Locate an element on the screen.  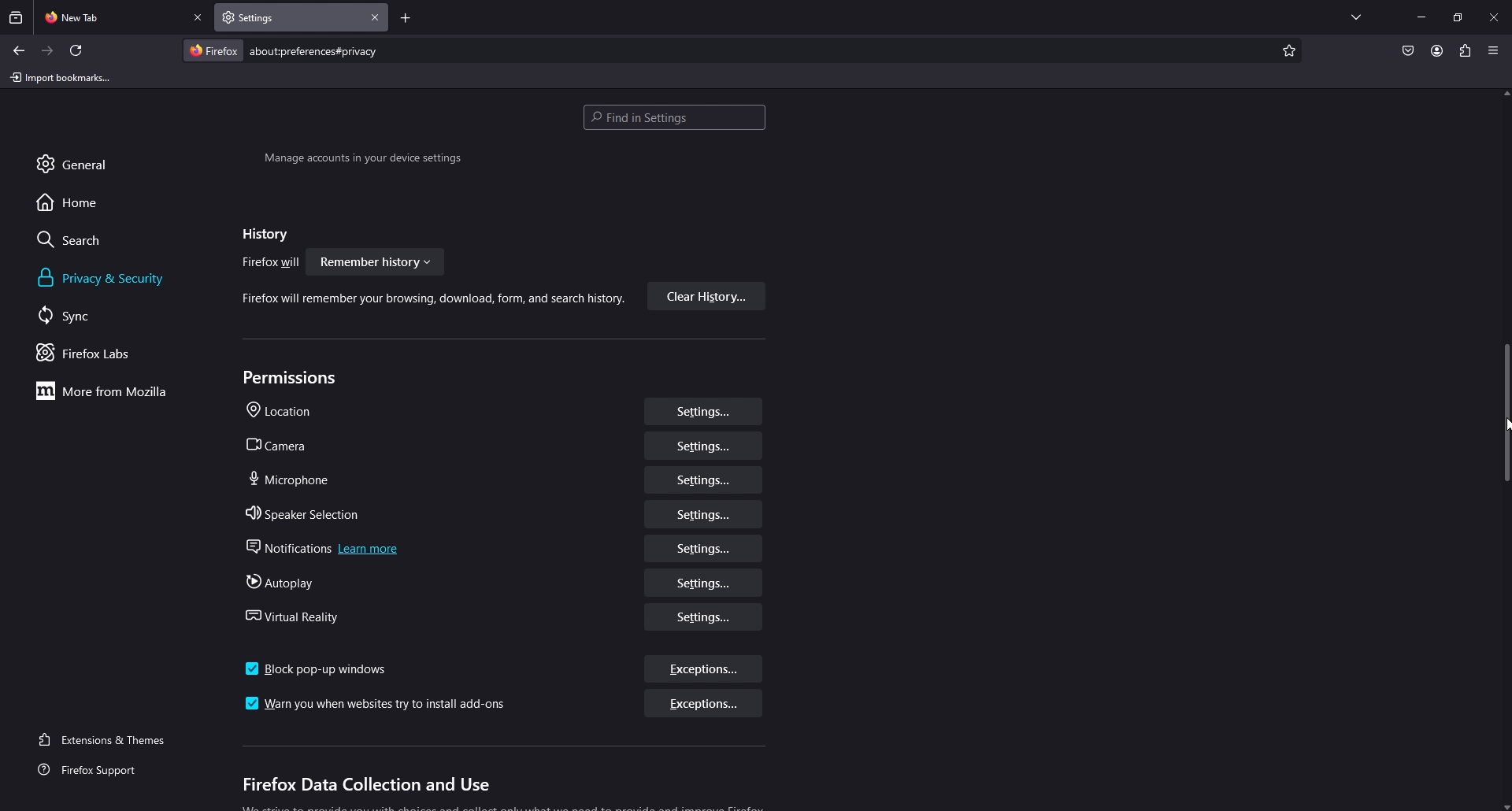
search settings is located at coordinates (674, 119).